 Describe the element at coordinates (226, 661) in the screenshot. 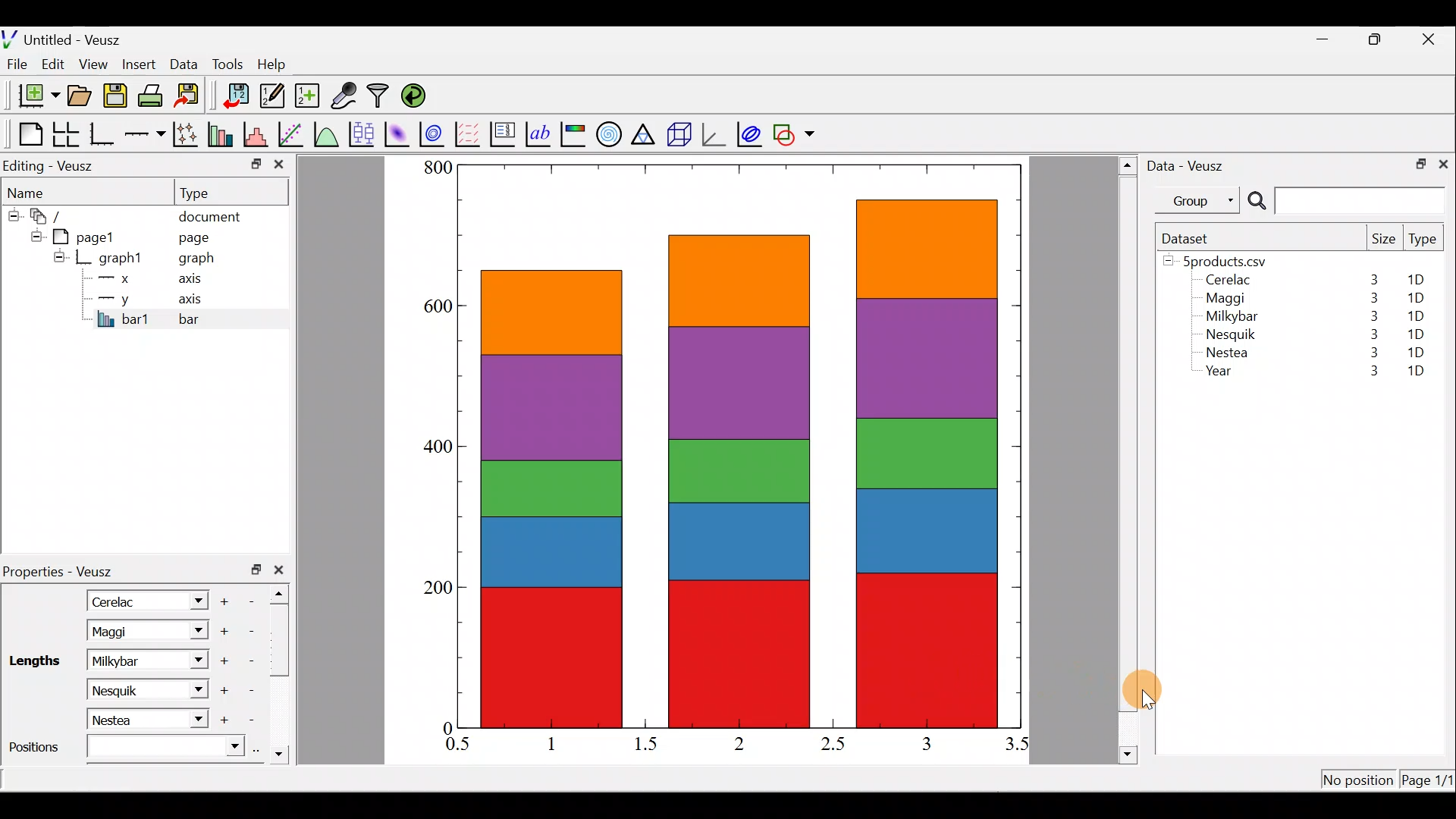

I see `Add another item` at that location.